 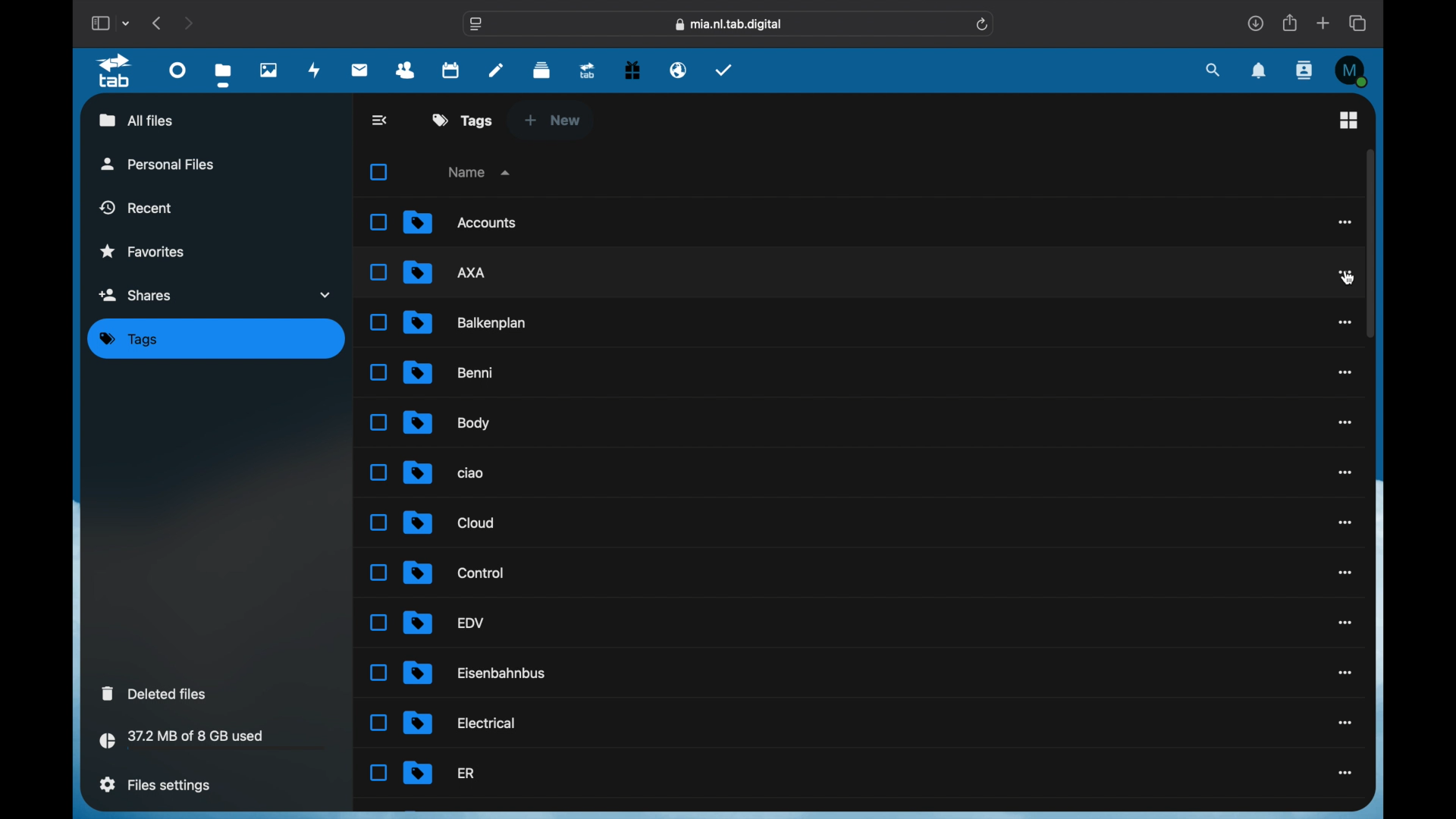 I want to click on name, so click(x=482, y=171).